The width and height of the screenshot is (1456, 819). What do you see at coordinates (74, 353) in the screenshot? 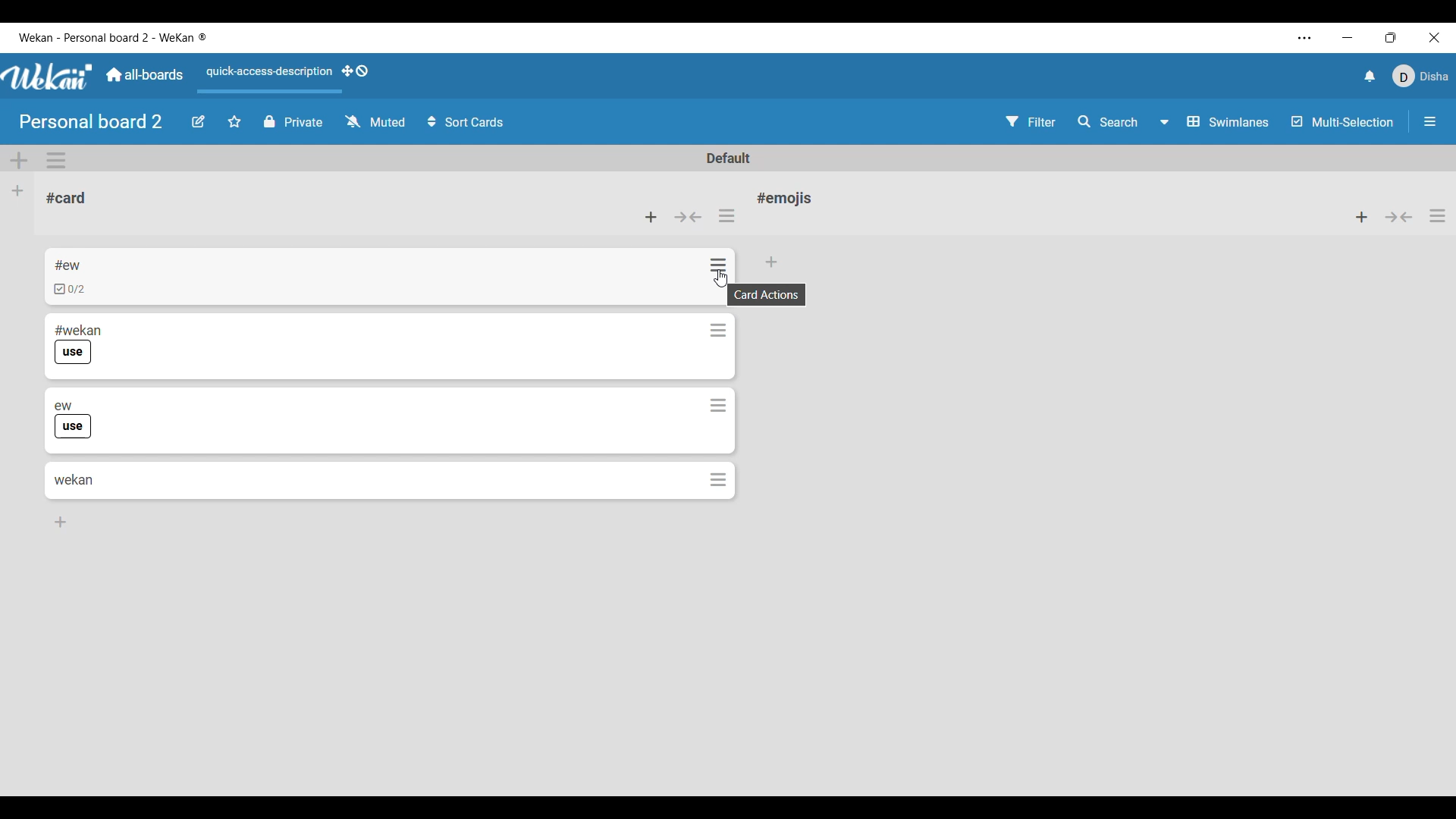
I see `Indicates use of label in card` at bounding box center [74, 353].